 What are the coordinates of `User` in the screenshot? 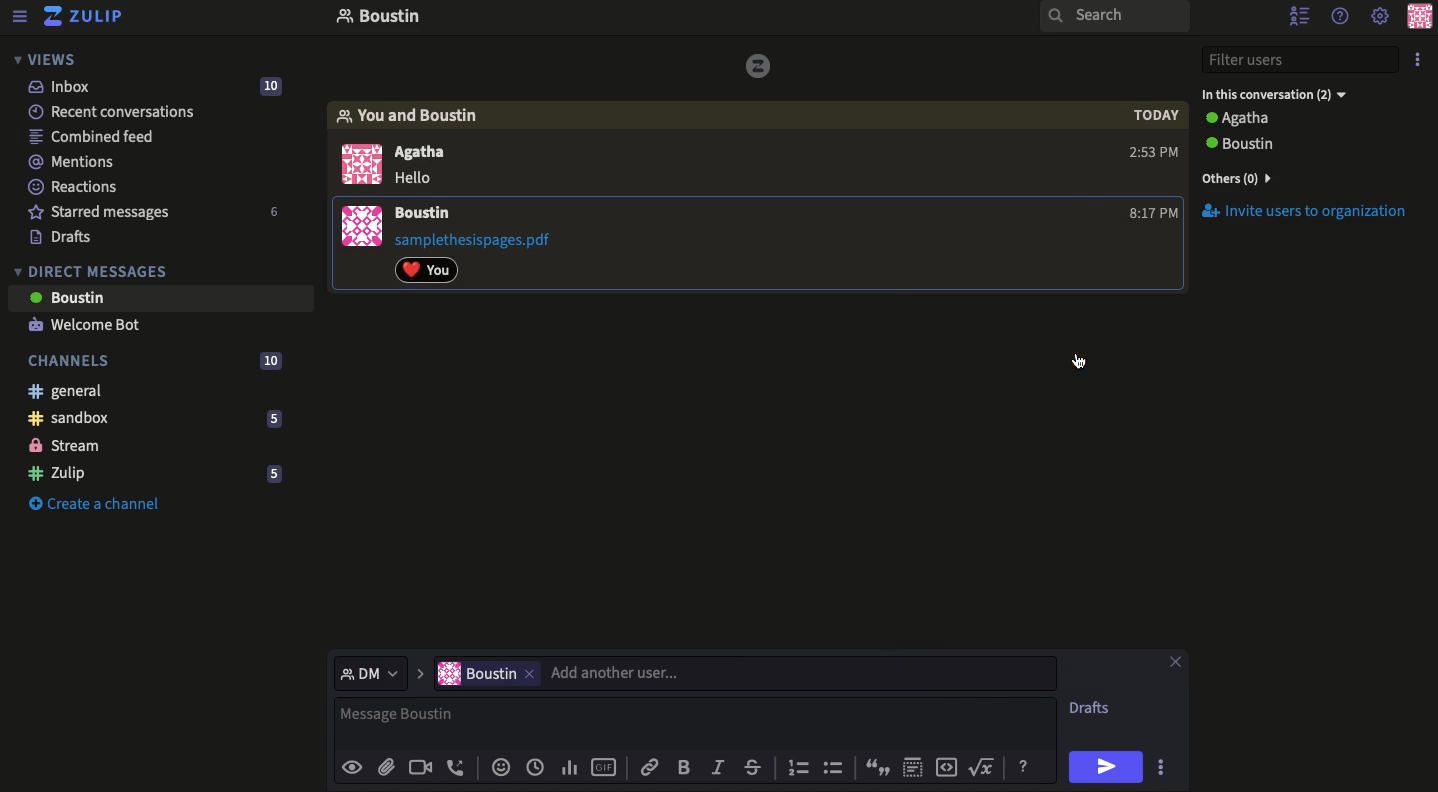 It's located at (435, 212).